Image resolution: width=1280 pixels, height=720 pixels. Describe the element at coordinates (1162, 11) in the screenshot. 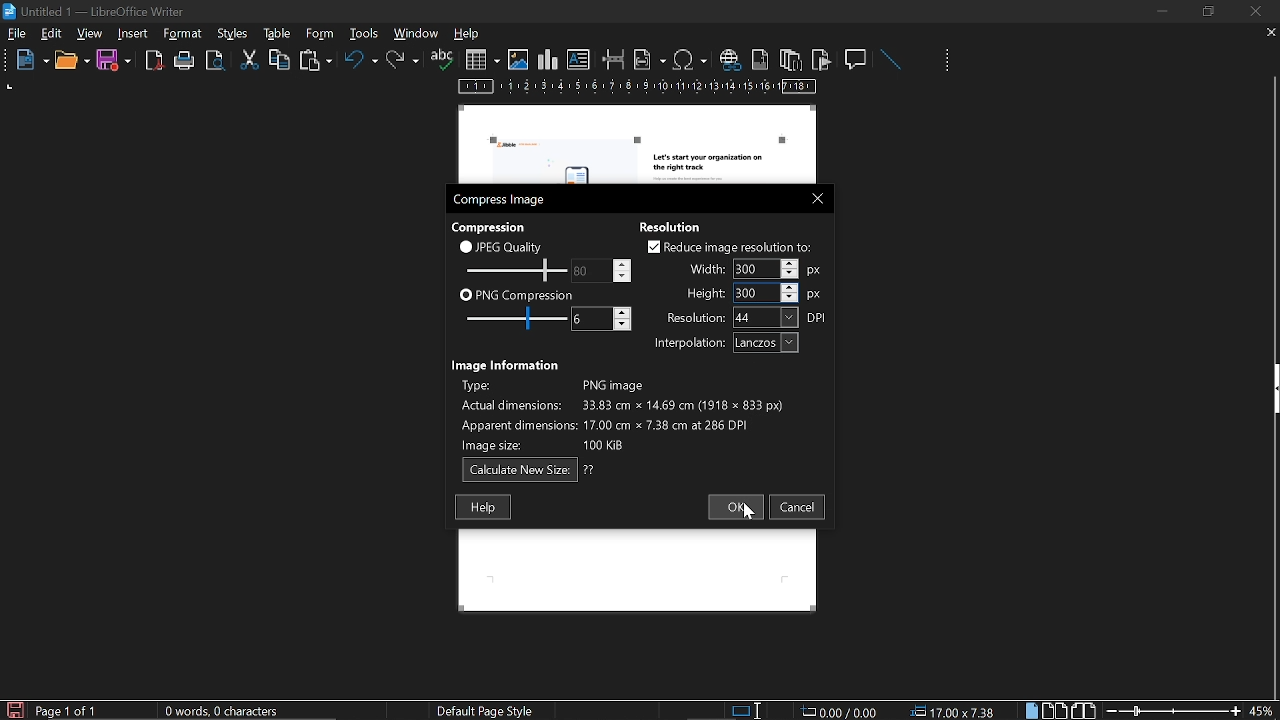

I see `minimize` at that location.